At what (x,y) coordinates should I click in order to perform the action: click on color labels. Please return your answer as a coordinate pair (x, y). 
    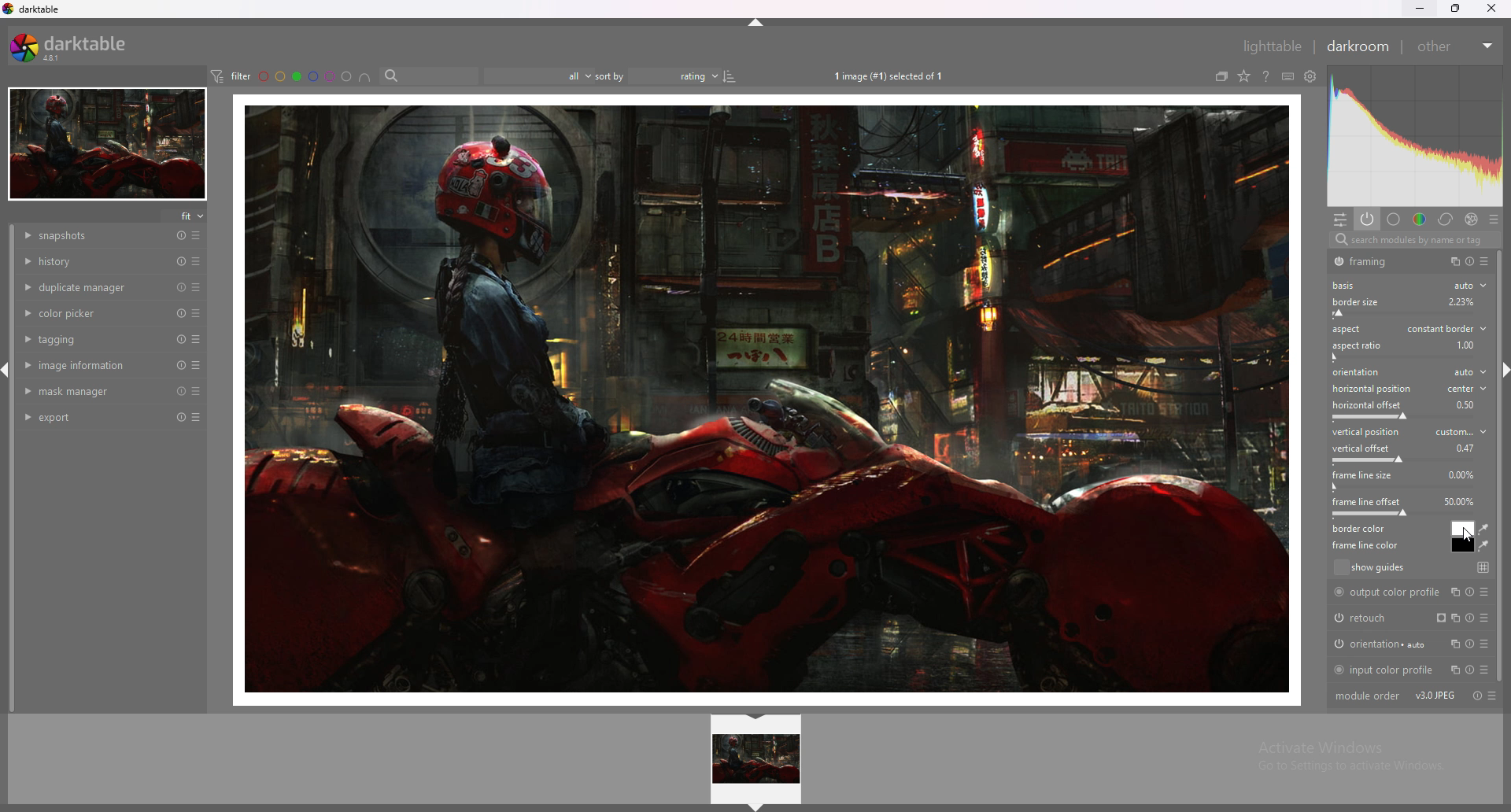
    Looking at the image, I should click on (306, 76).